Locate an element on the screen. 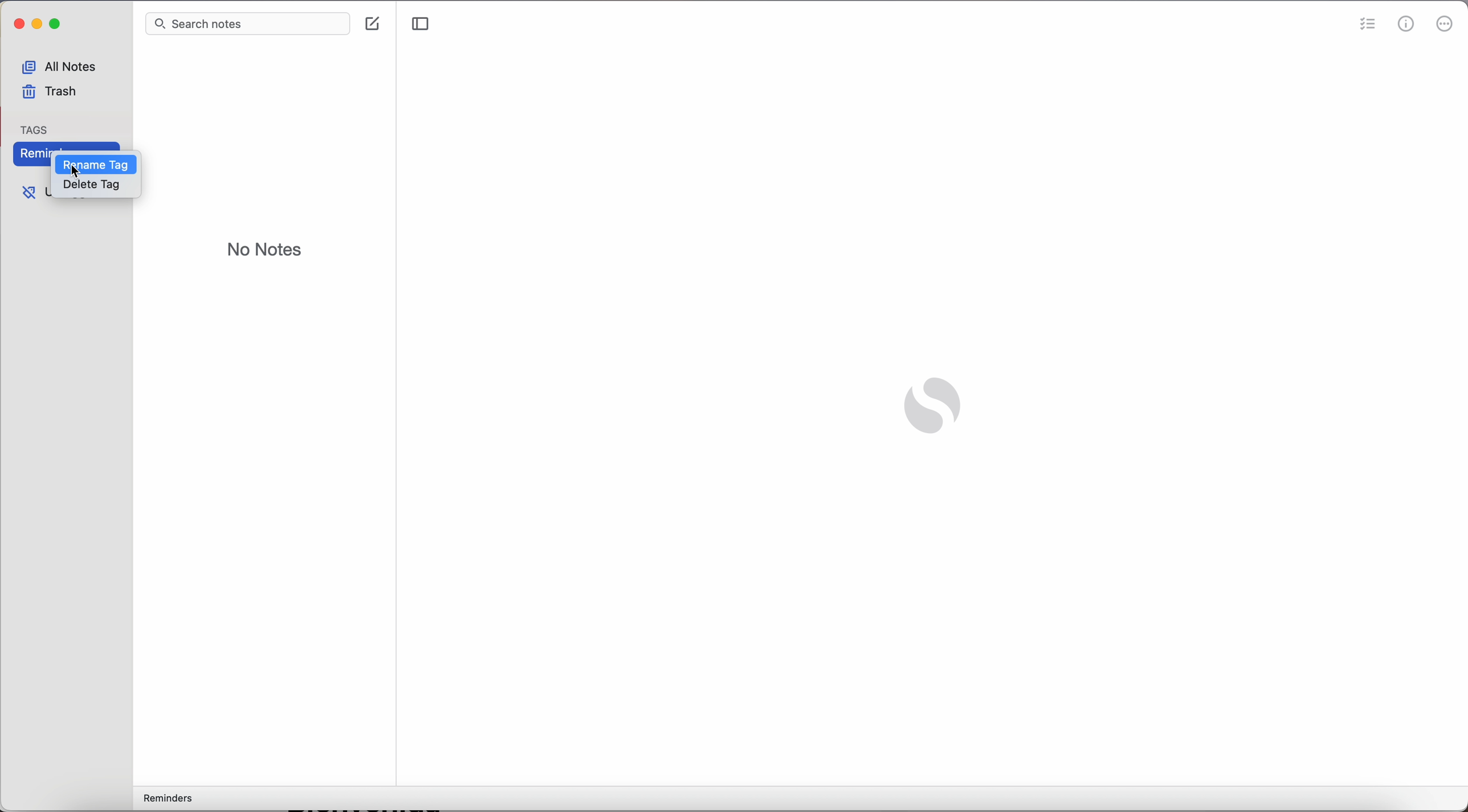  untagged is located at coordinates (67, 193).